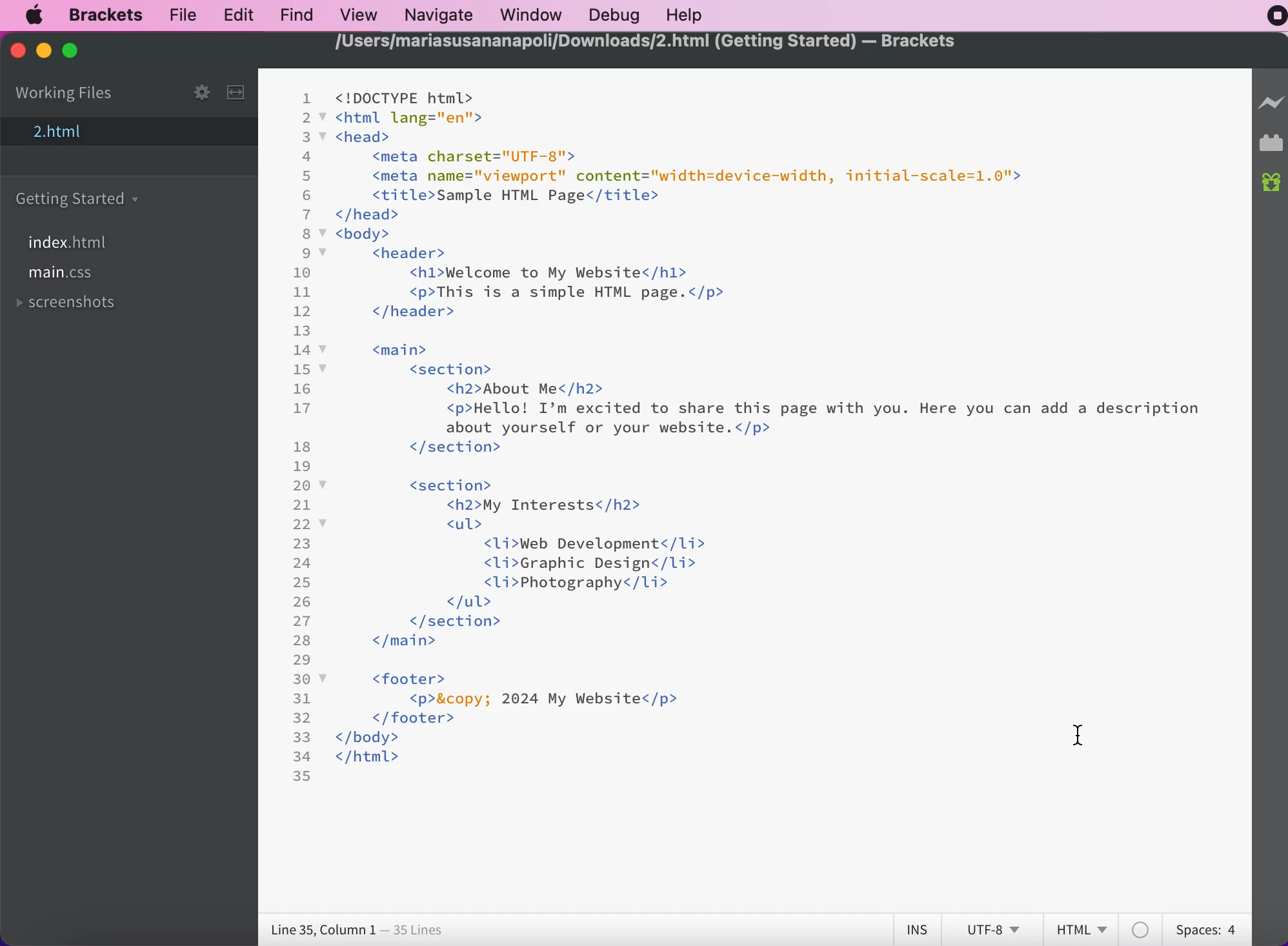 This screenshot has width=1288, height=946. I want to click on 7, so click(306, 215).